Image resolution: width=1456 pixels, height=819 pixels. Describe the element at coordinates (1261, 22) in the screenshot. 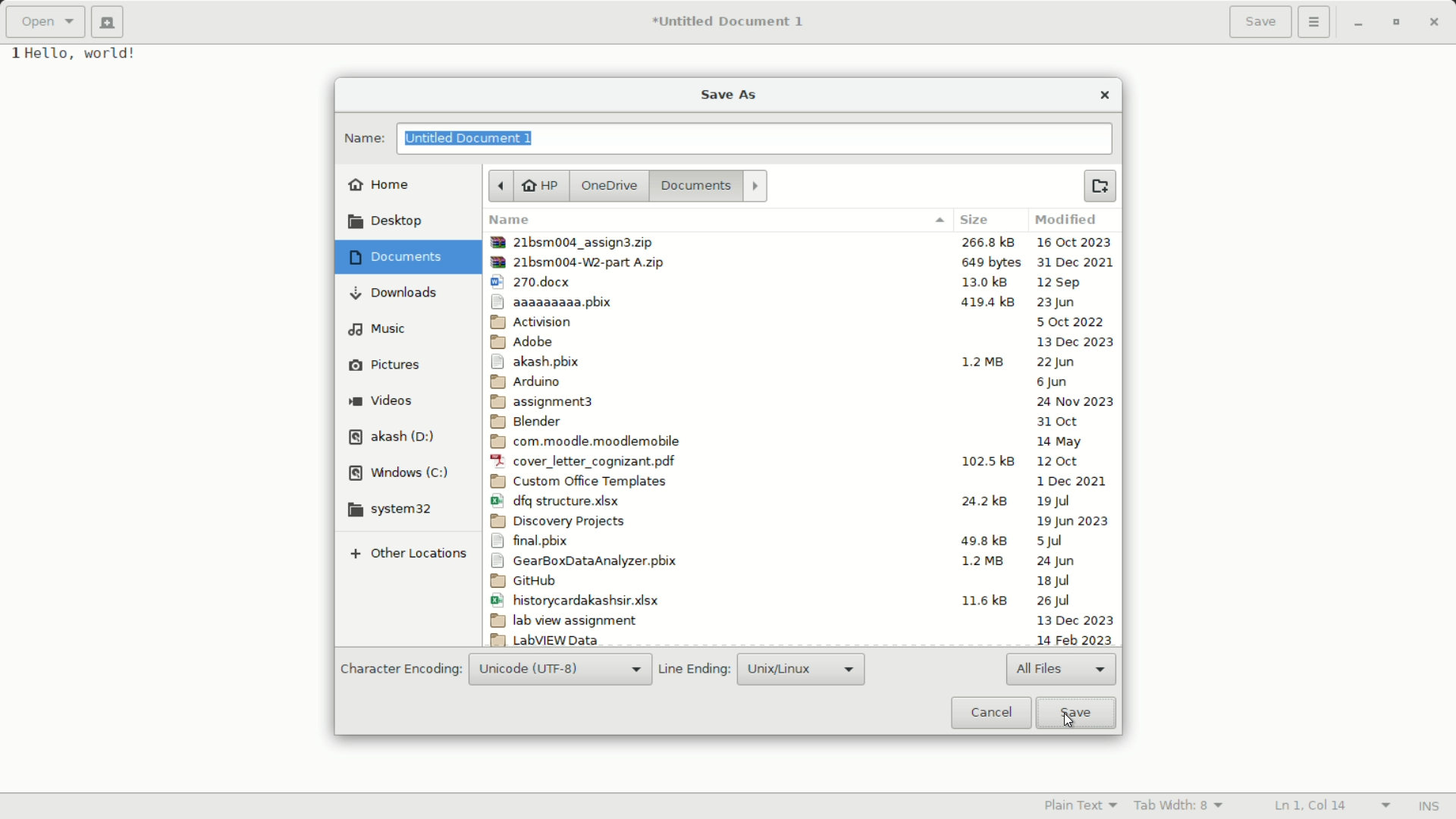

I see `save file` at that location.